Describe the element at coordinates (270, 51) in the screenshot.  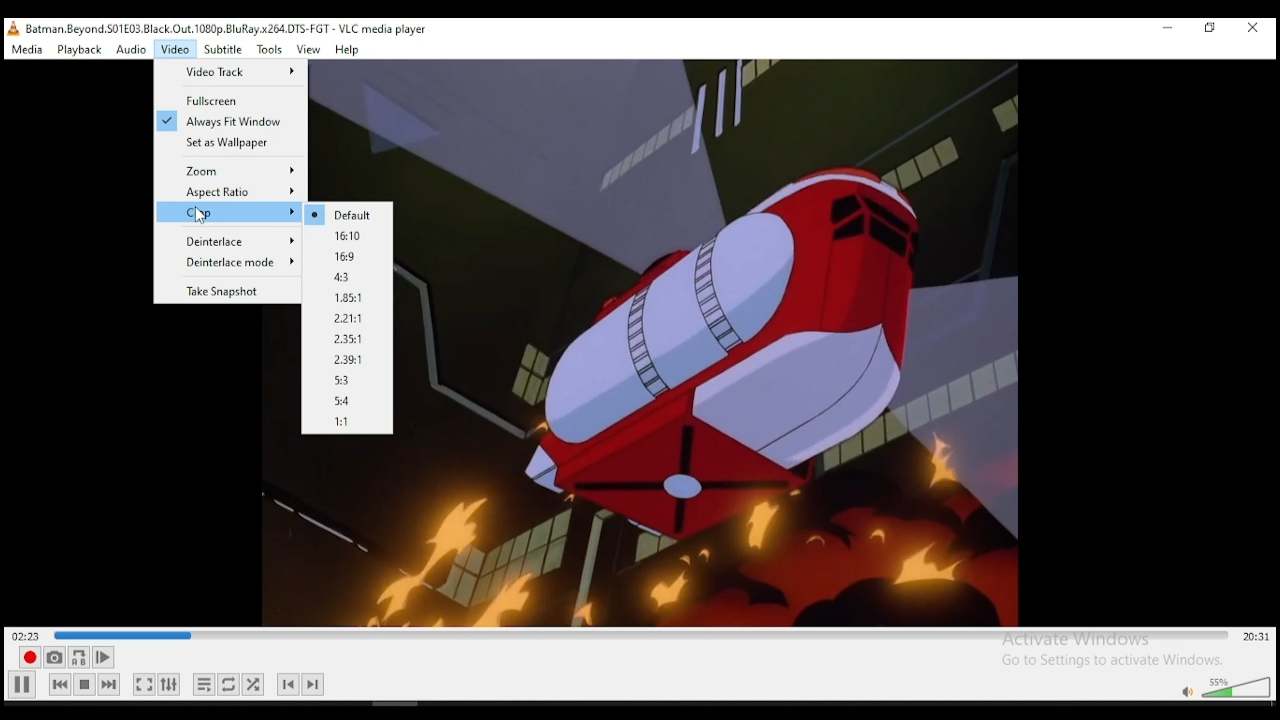
I see `tools` at that location.